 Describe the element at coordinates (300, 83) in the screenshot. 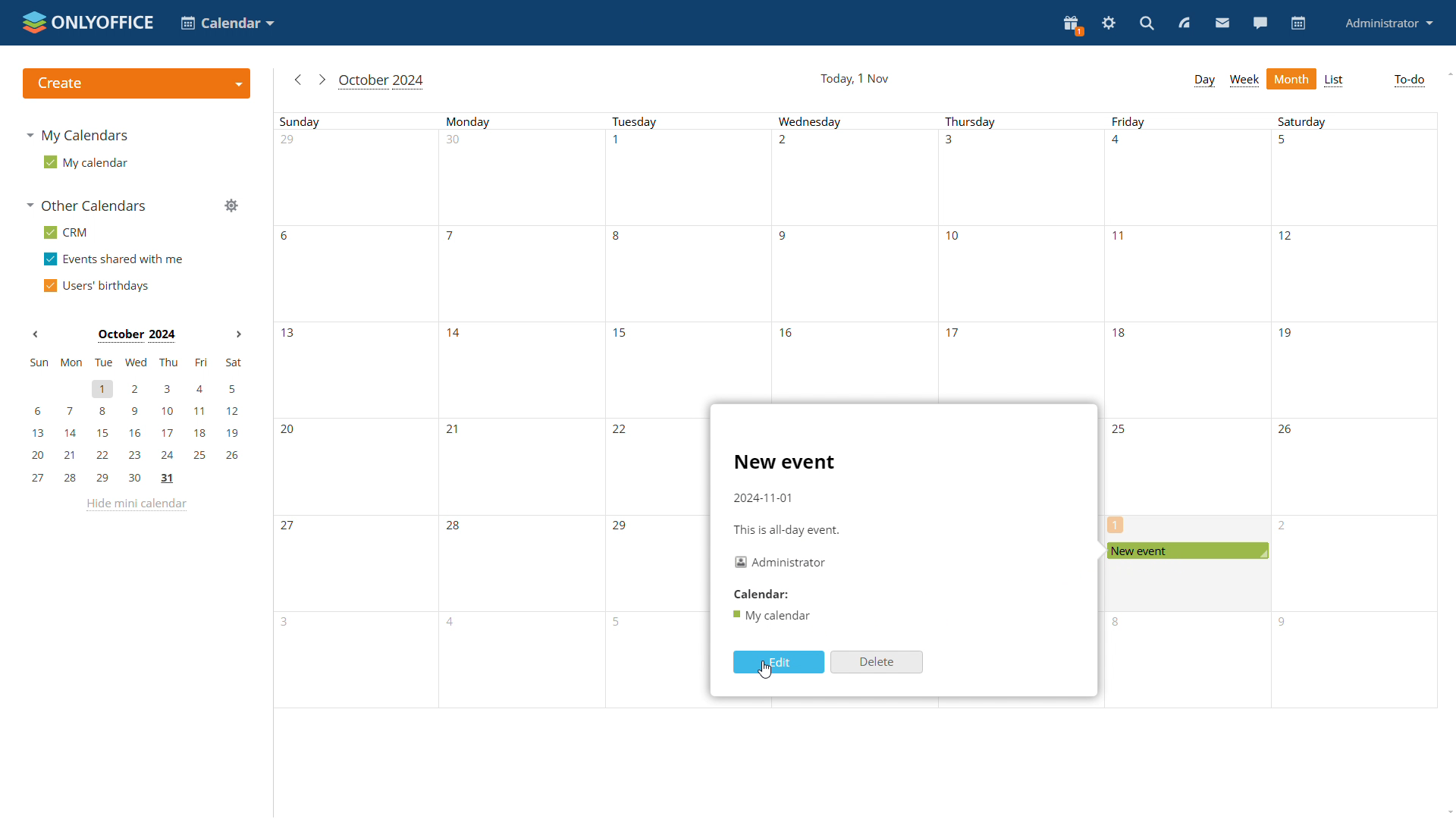

I see `go to previous month` at that location.